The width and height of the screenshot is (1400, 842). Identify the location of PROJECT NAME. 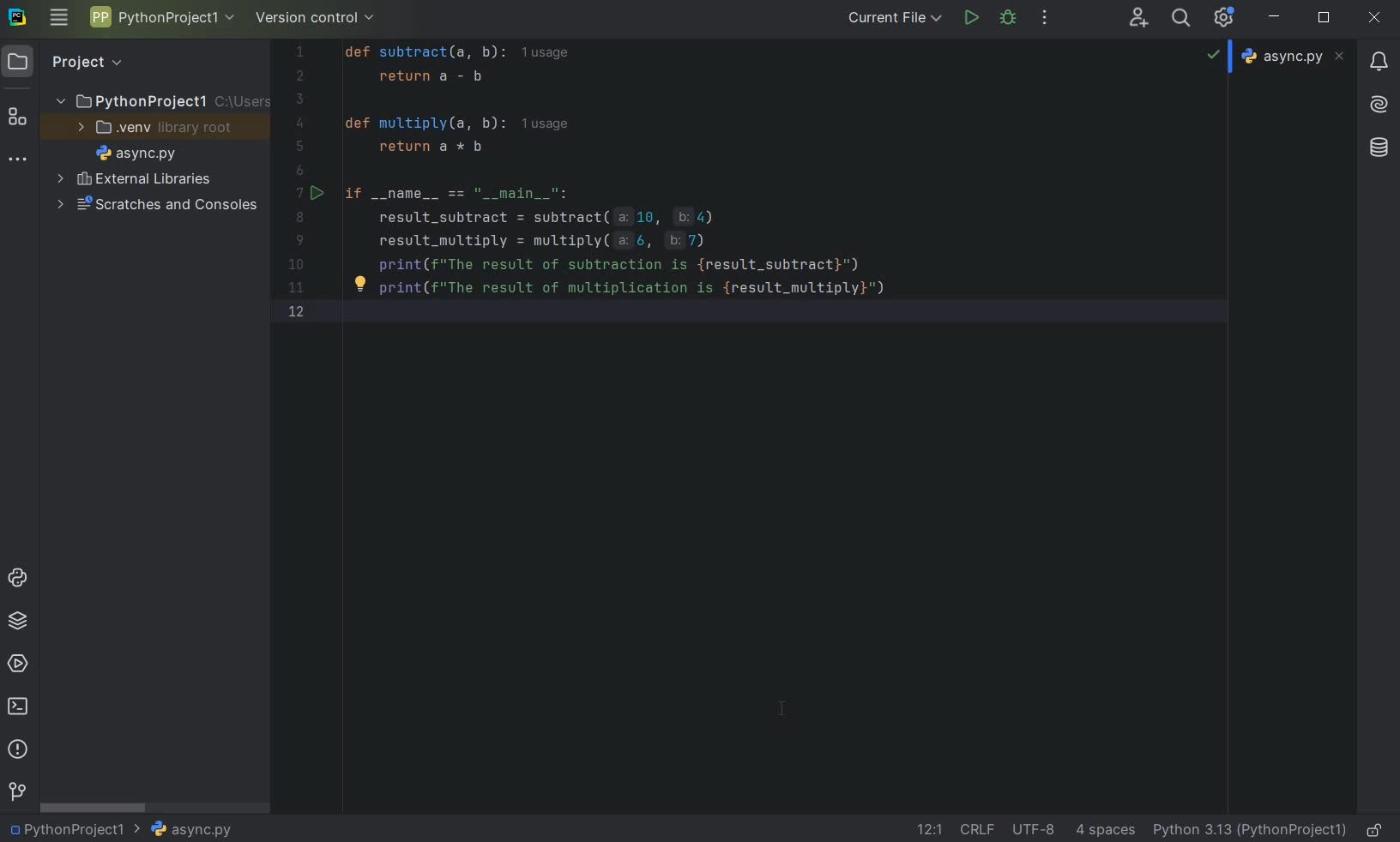
(160, 99).